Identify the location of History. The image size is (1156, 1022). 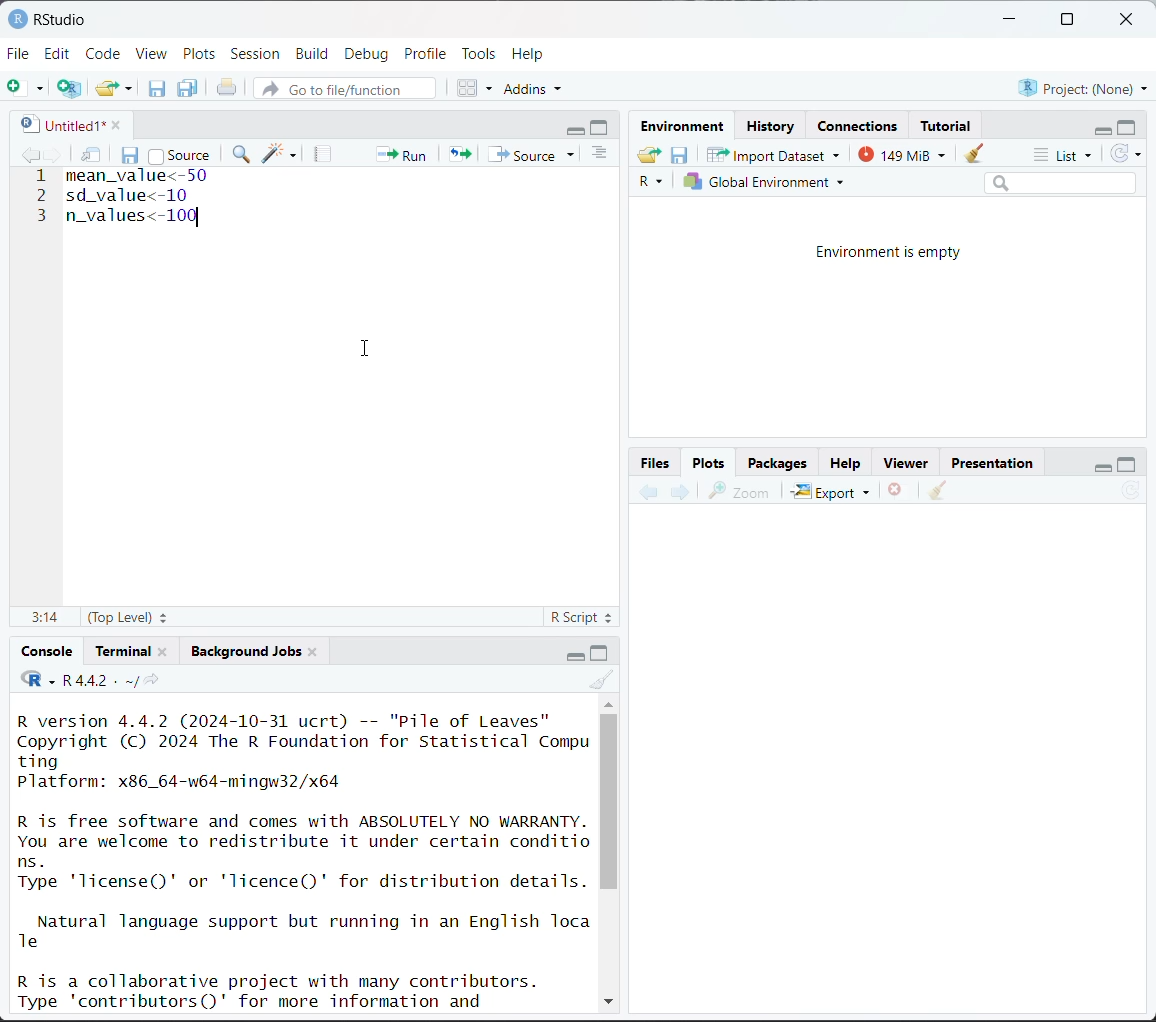
(772, 126).